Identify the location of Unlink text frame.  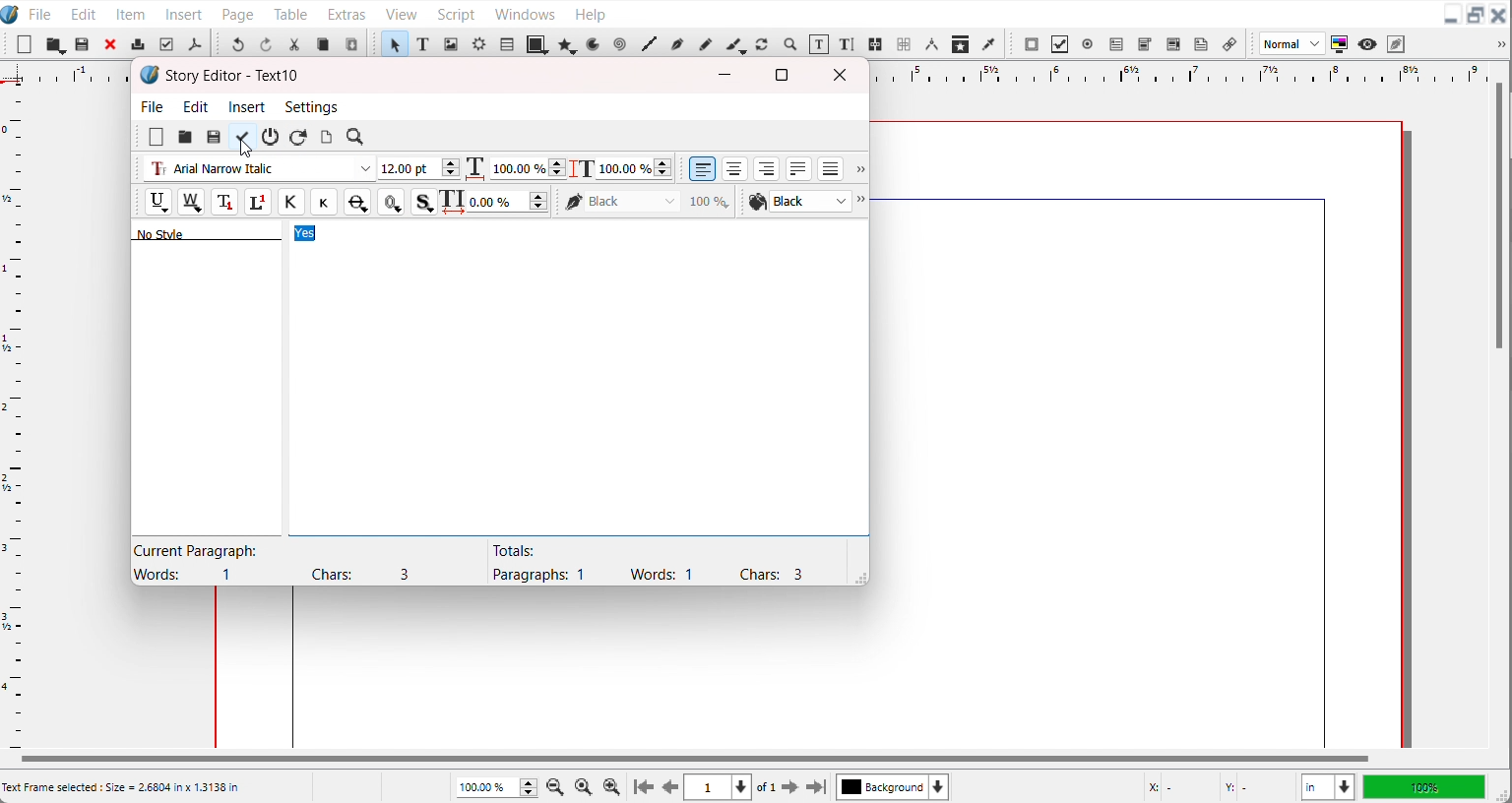
(903, 44).